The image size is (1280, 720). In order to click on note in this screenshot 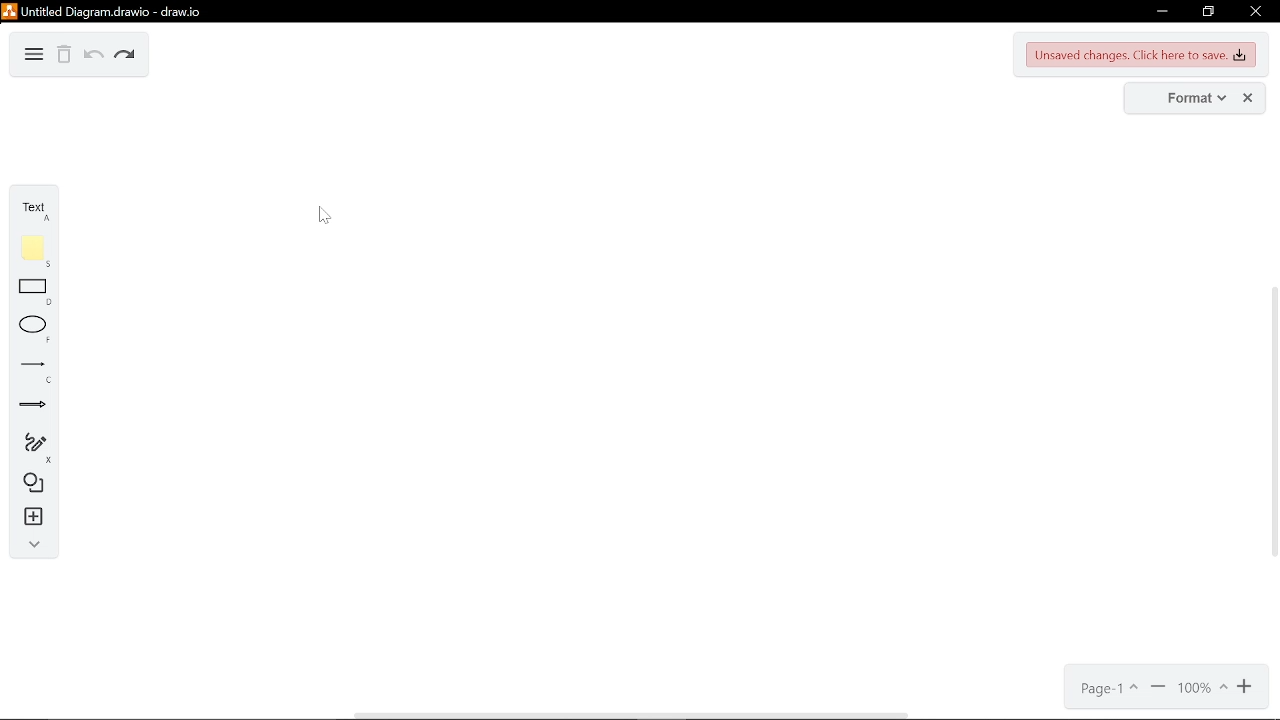, I will do `click(36, 251)`.